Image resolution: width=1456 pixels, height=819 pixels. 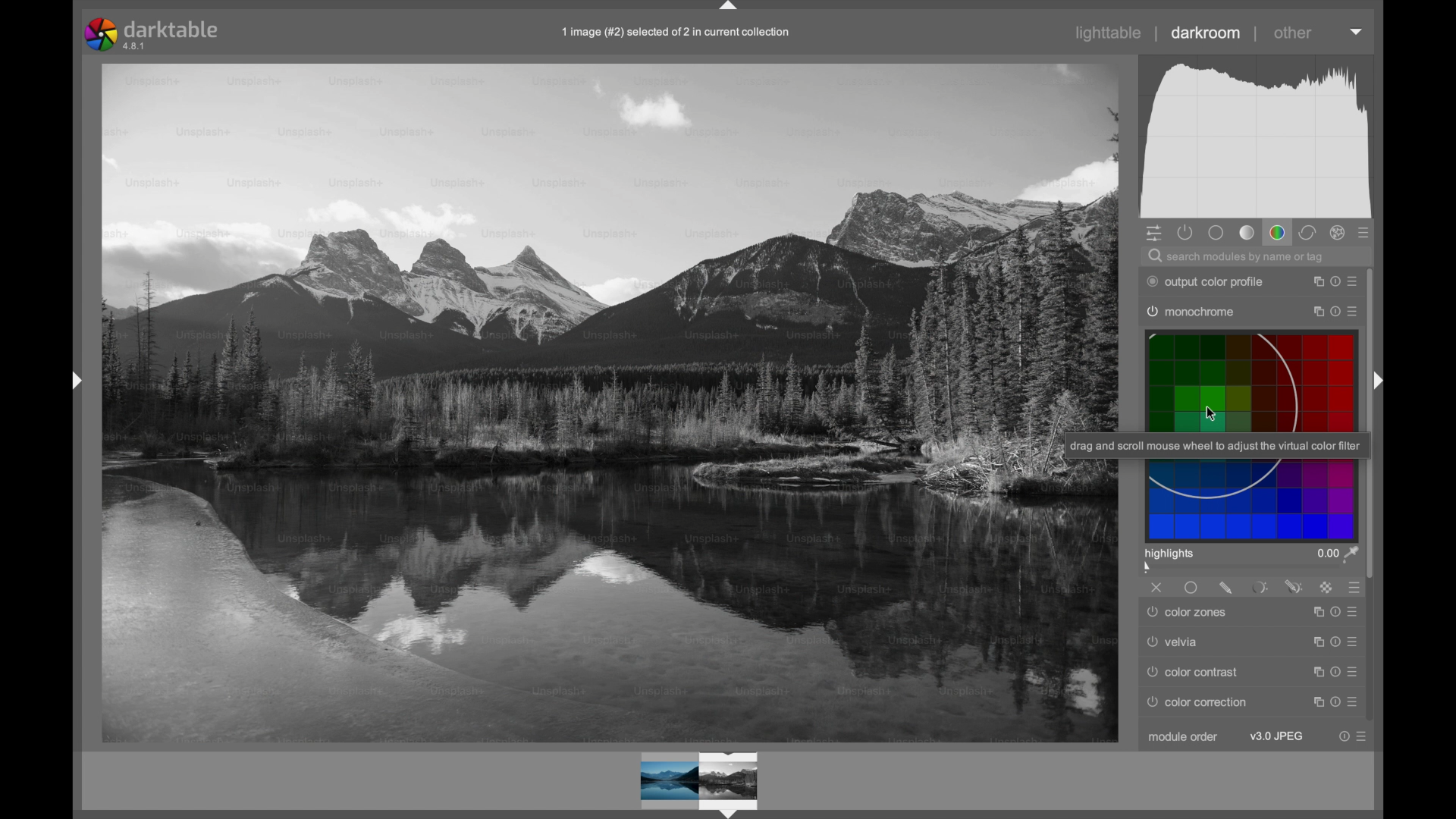 I want to click on reset, so click(x=1334, y=281).